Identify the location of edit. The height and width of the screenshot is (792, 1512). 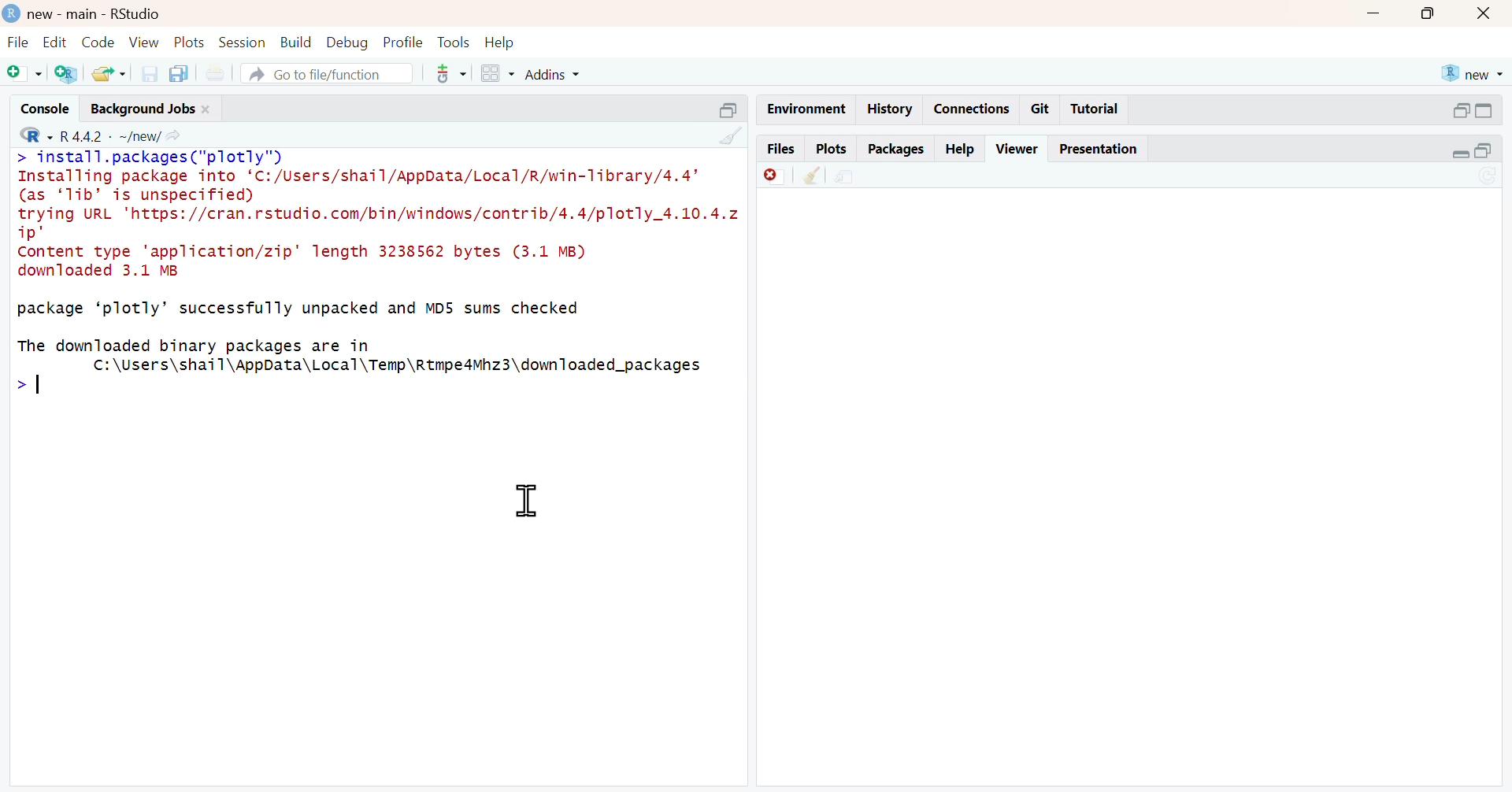
(51, 42).